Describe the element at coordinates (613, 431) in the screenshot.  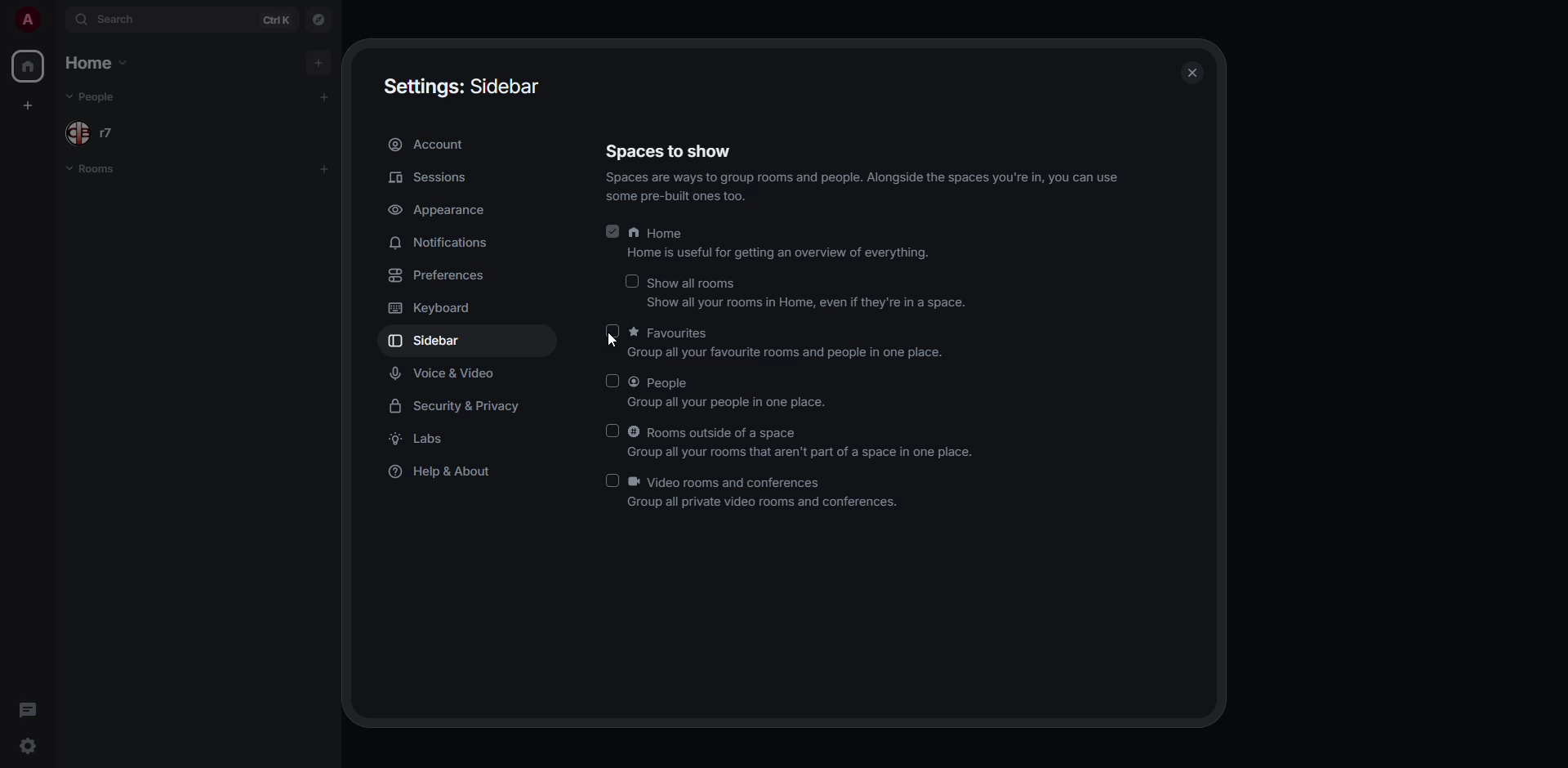
I see `click to enable` at that location.